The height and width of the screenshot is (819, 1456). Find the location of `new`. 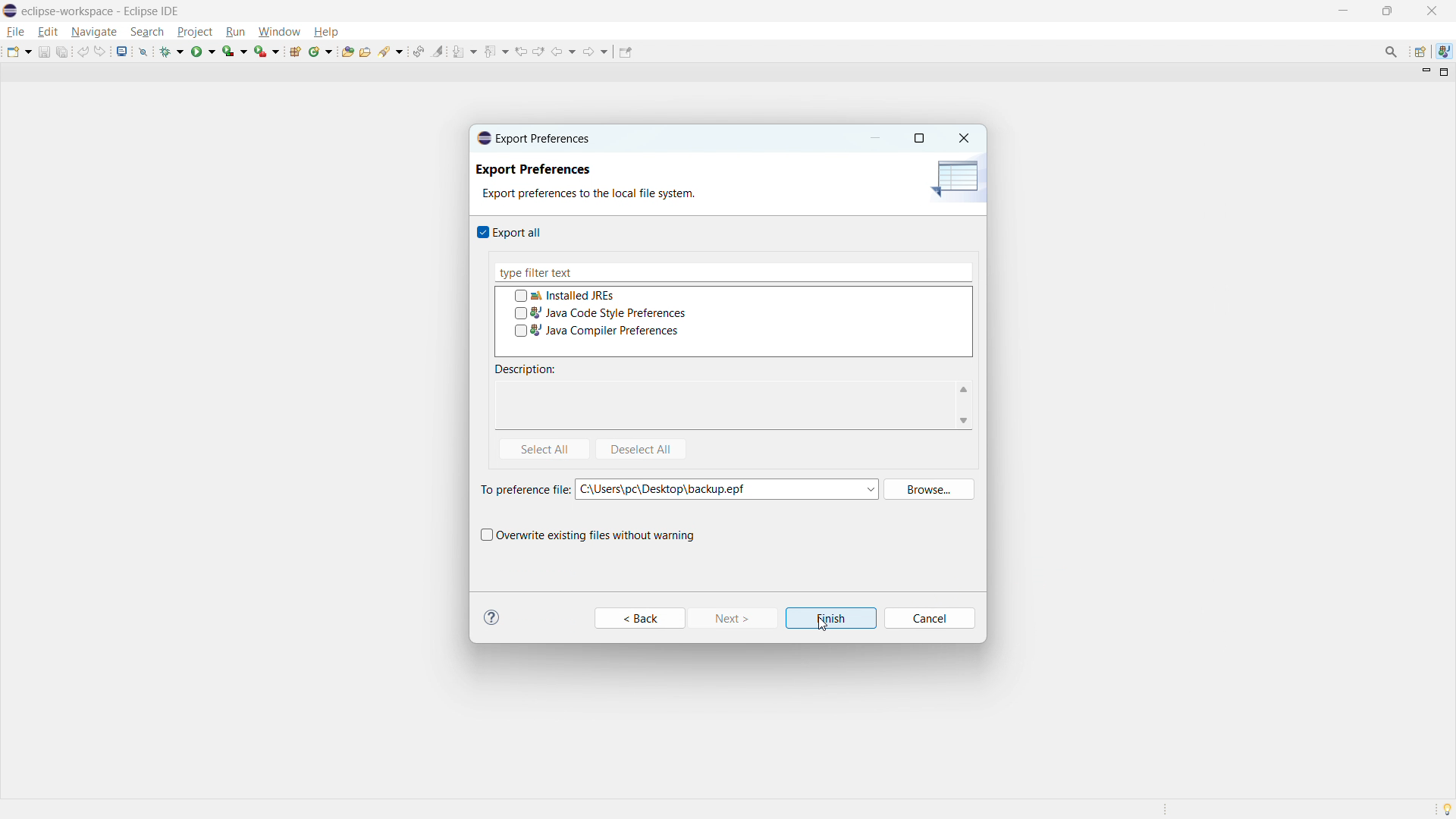

new is located at coordinates (19, 52).